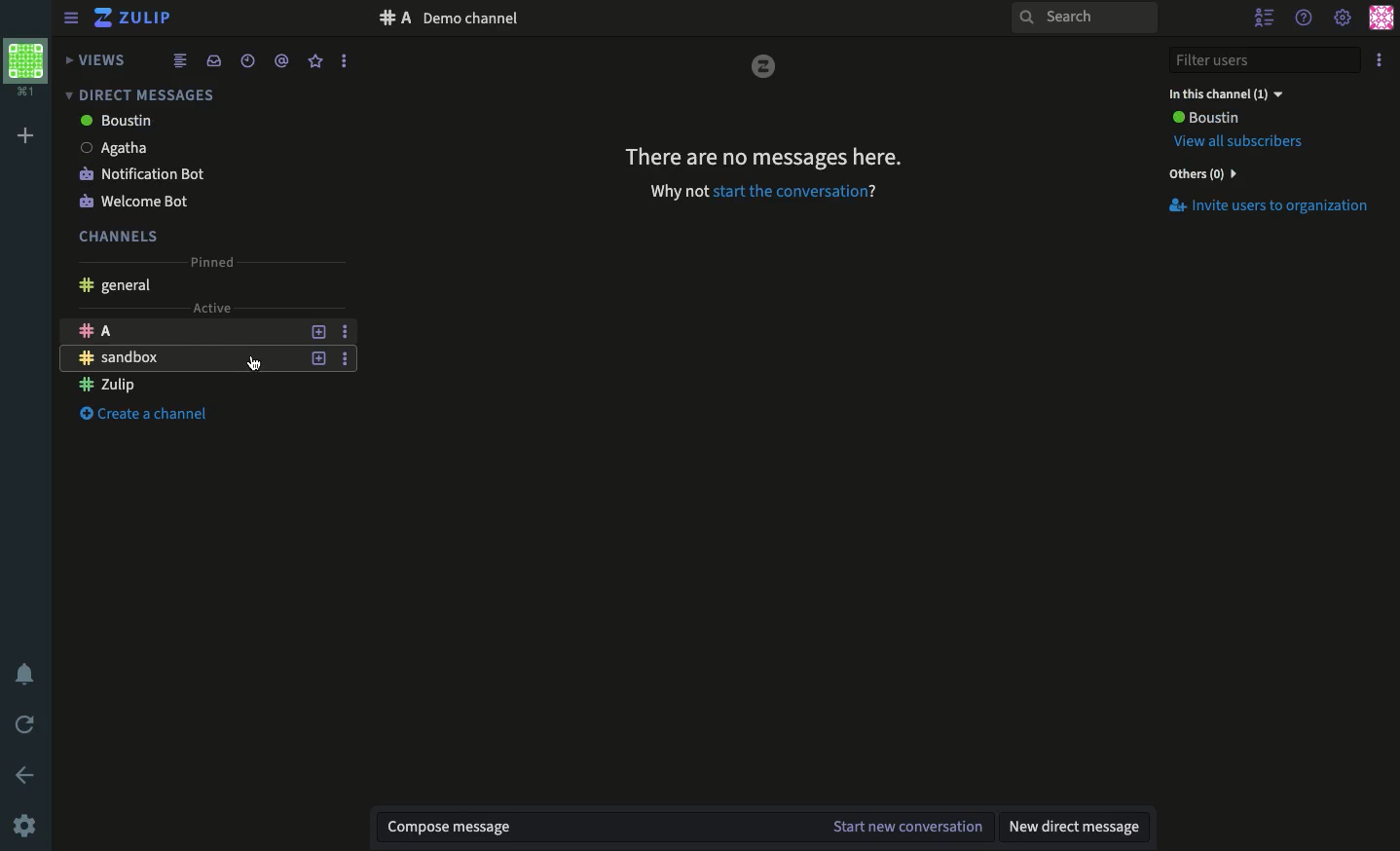  What do you see at coordinates (24, 825) in the screenshot?
I see `Settings` at bounding box center [24, 825].